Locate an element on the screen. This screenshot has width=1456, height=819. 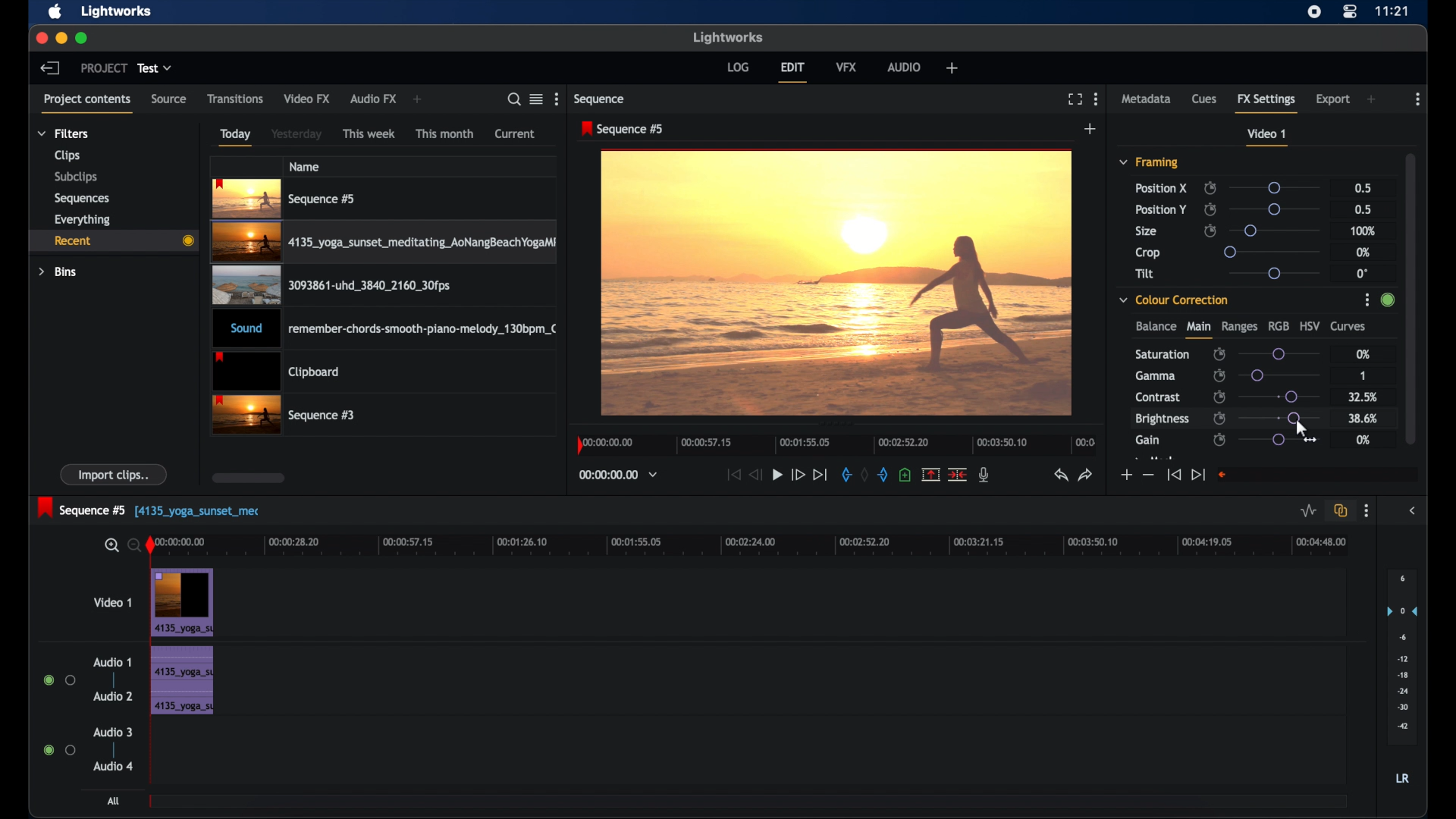
empty field is located at coordinates (1316, 475).